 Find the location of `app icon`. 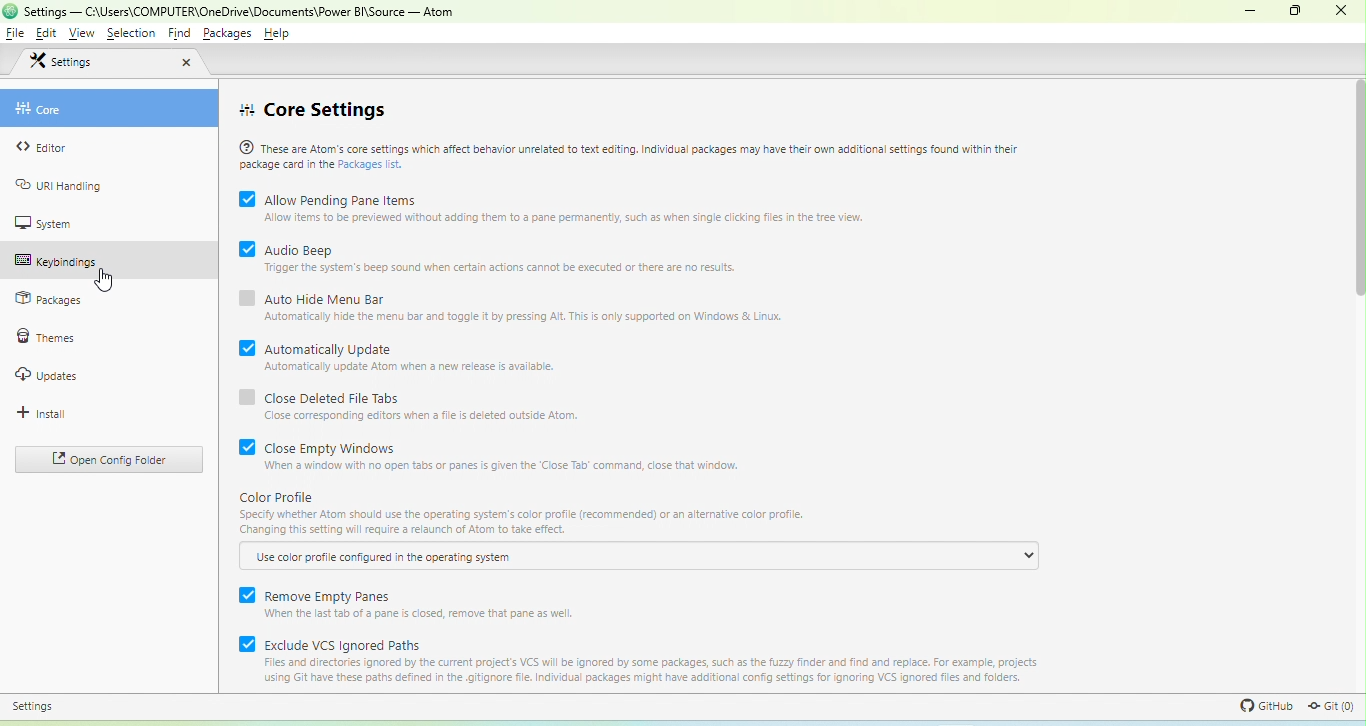

app icon is located at coordinates (9, 11).